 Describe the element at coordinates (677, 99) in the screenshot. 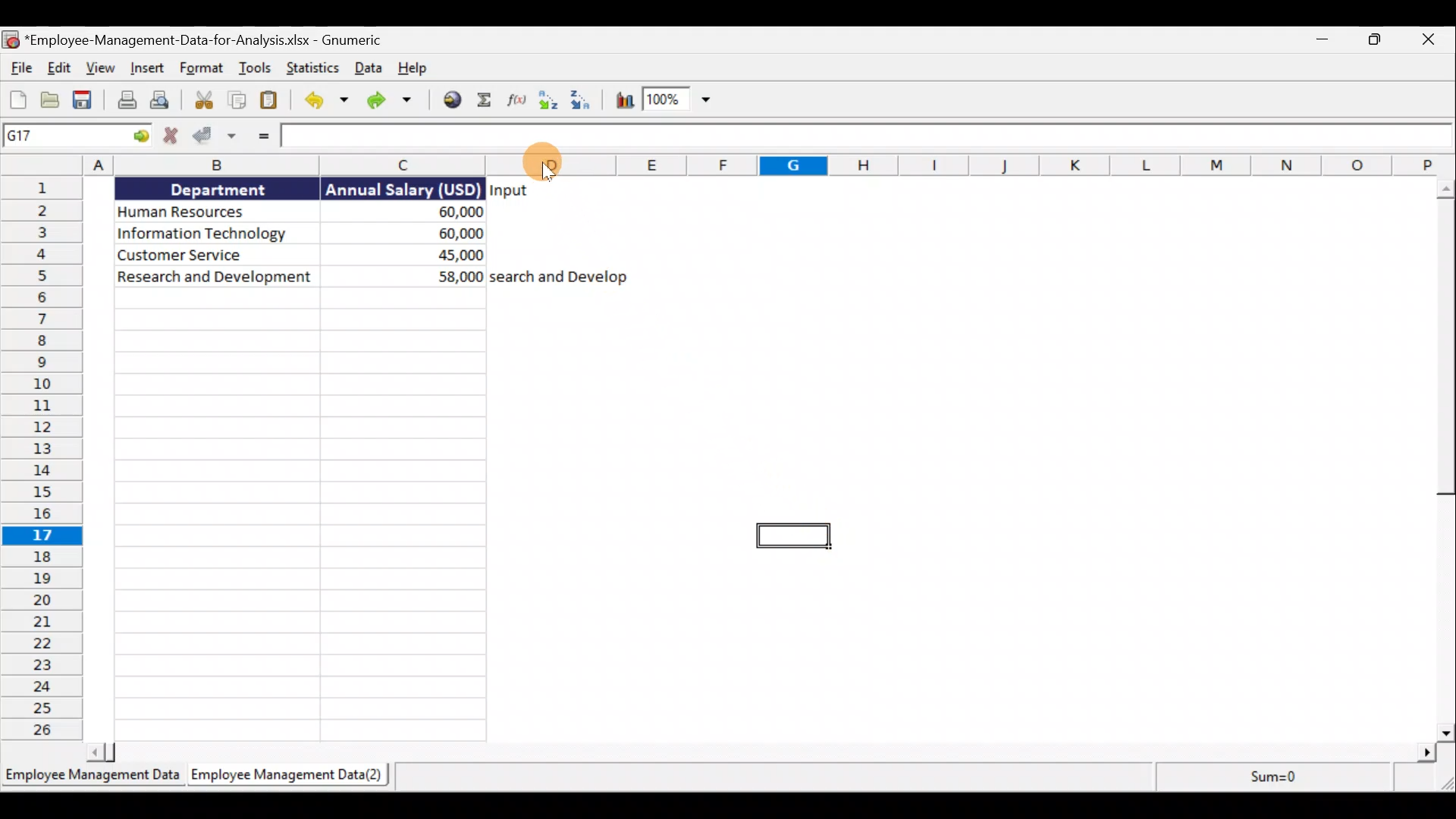

I see `Zoom` at that location.